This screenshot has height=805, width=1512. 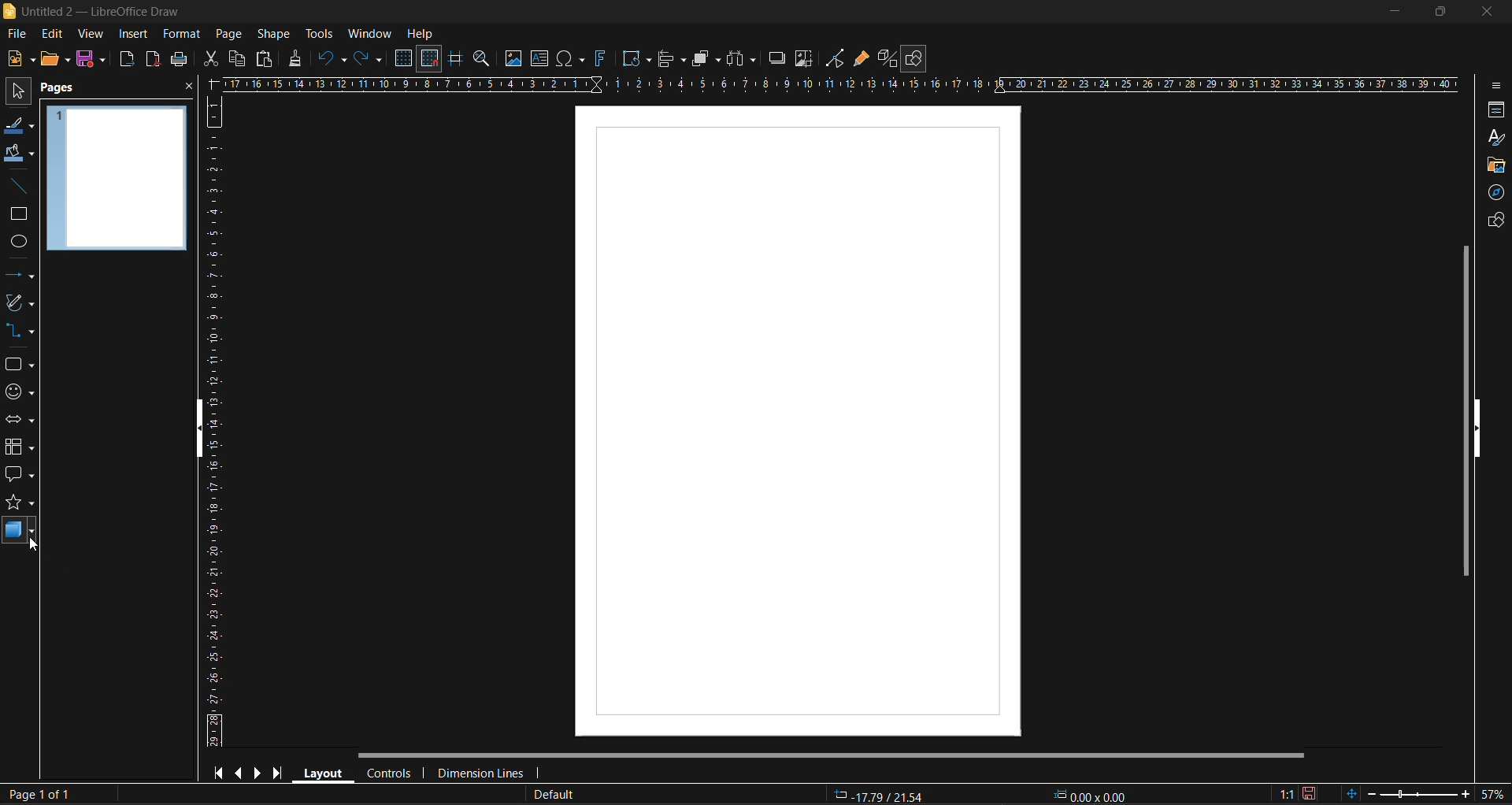 I want to click on special characters, so click(x=574, y=59).